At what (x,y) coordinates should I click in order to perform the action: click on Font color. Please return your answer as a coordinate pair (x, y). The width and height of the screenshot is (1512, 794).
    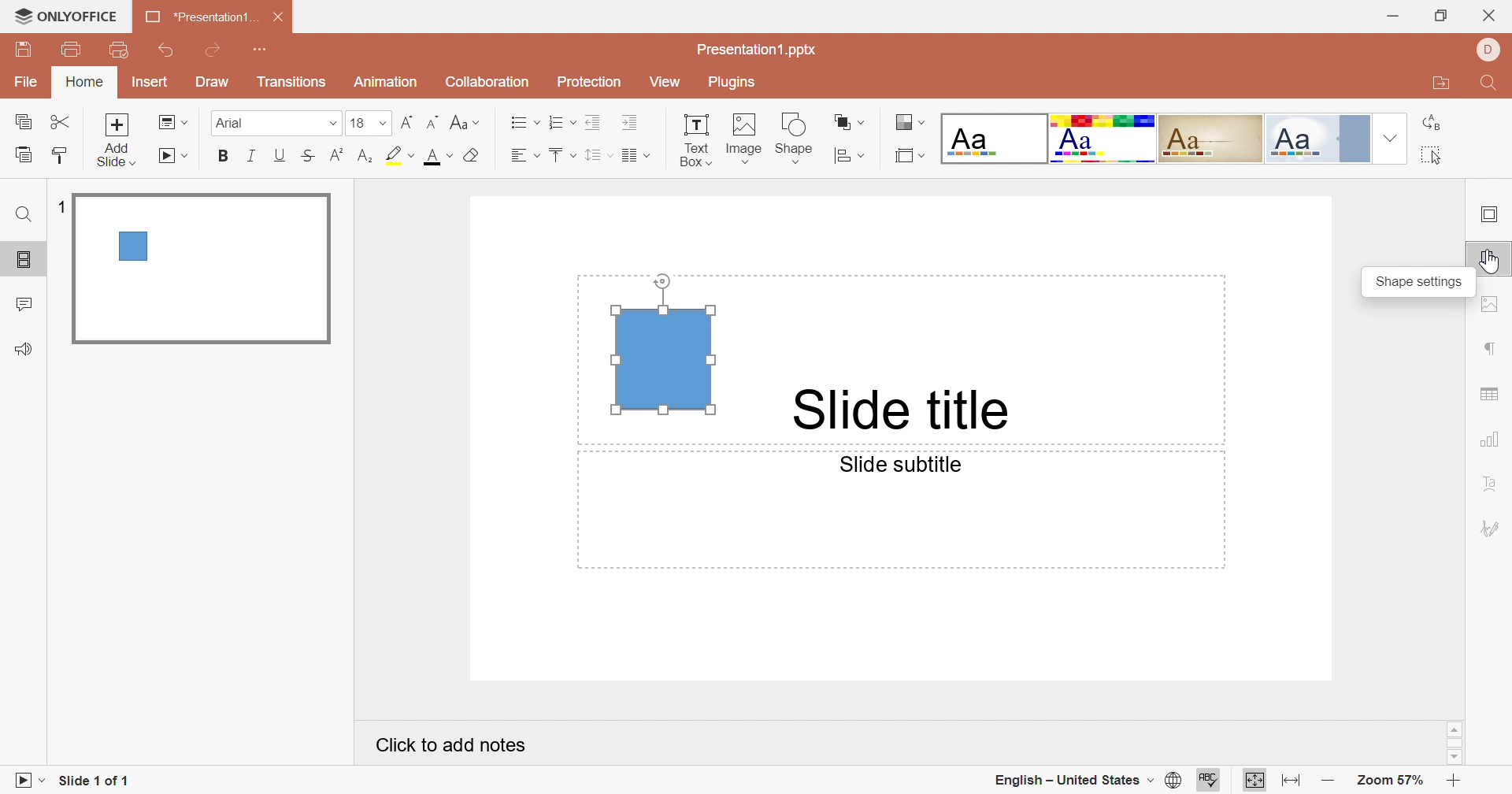
    Looking at the image, I should click on (434, 158).